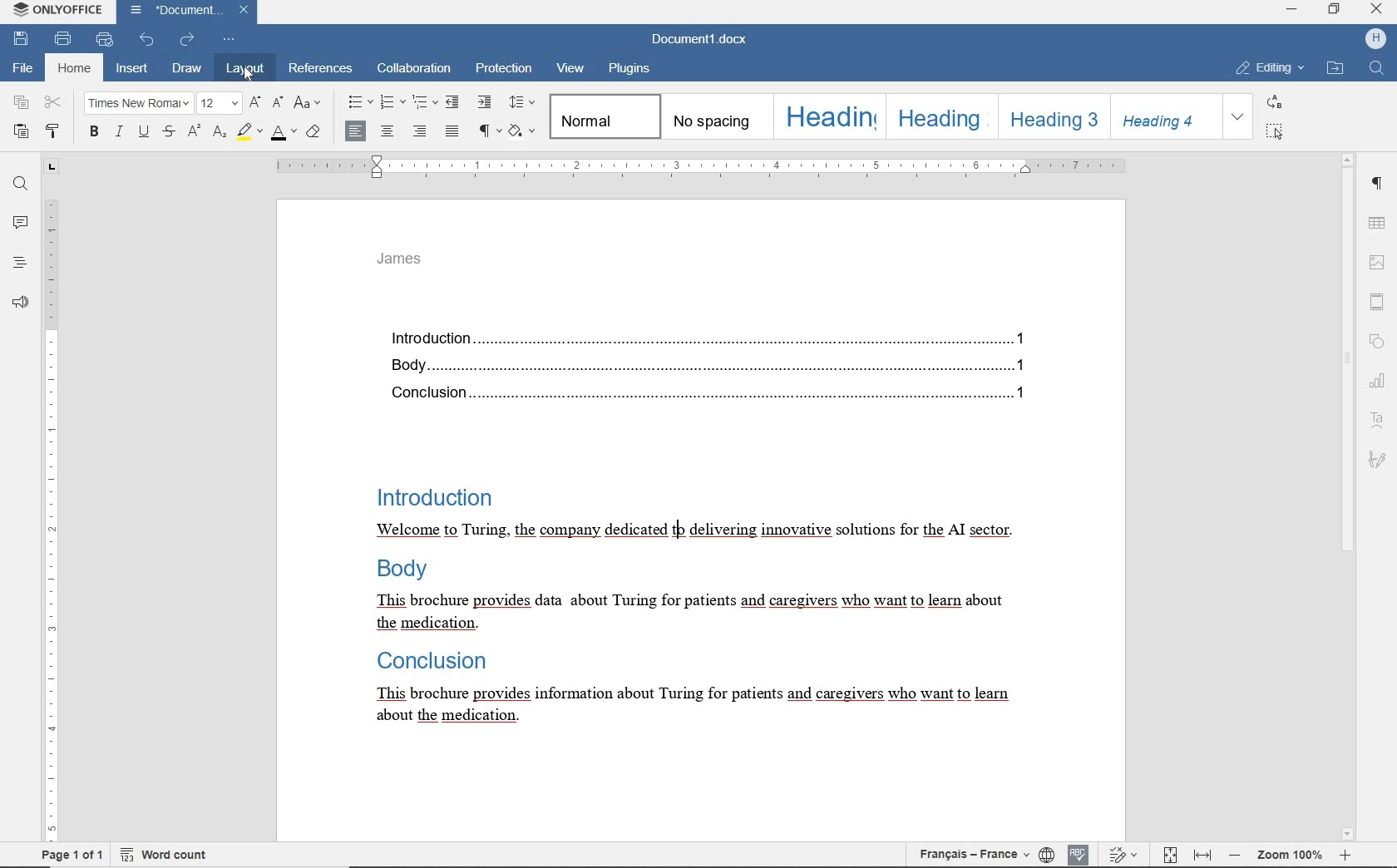 The height and width of the screenshot is (868, 1397). What do you see at coordinates (630, 70) in the screenshot?
I see `plugins` at bounding box center [630, 70].